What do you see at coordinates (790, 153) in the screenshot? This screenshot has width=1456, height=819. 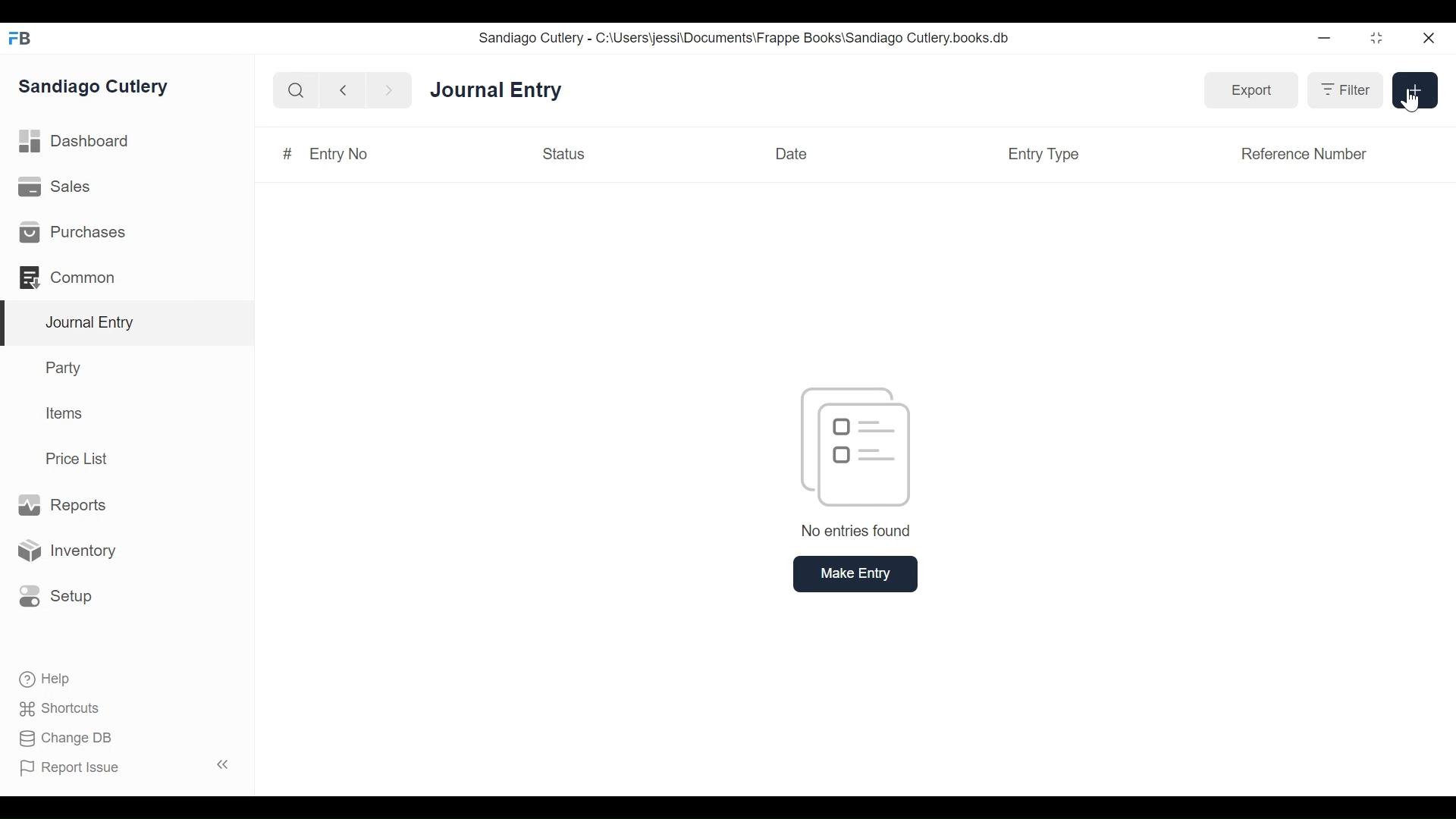 I see `Date` at bounding box center [790, 153].